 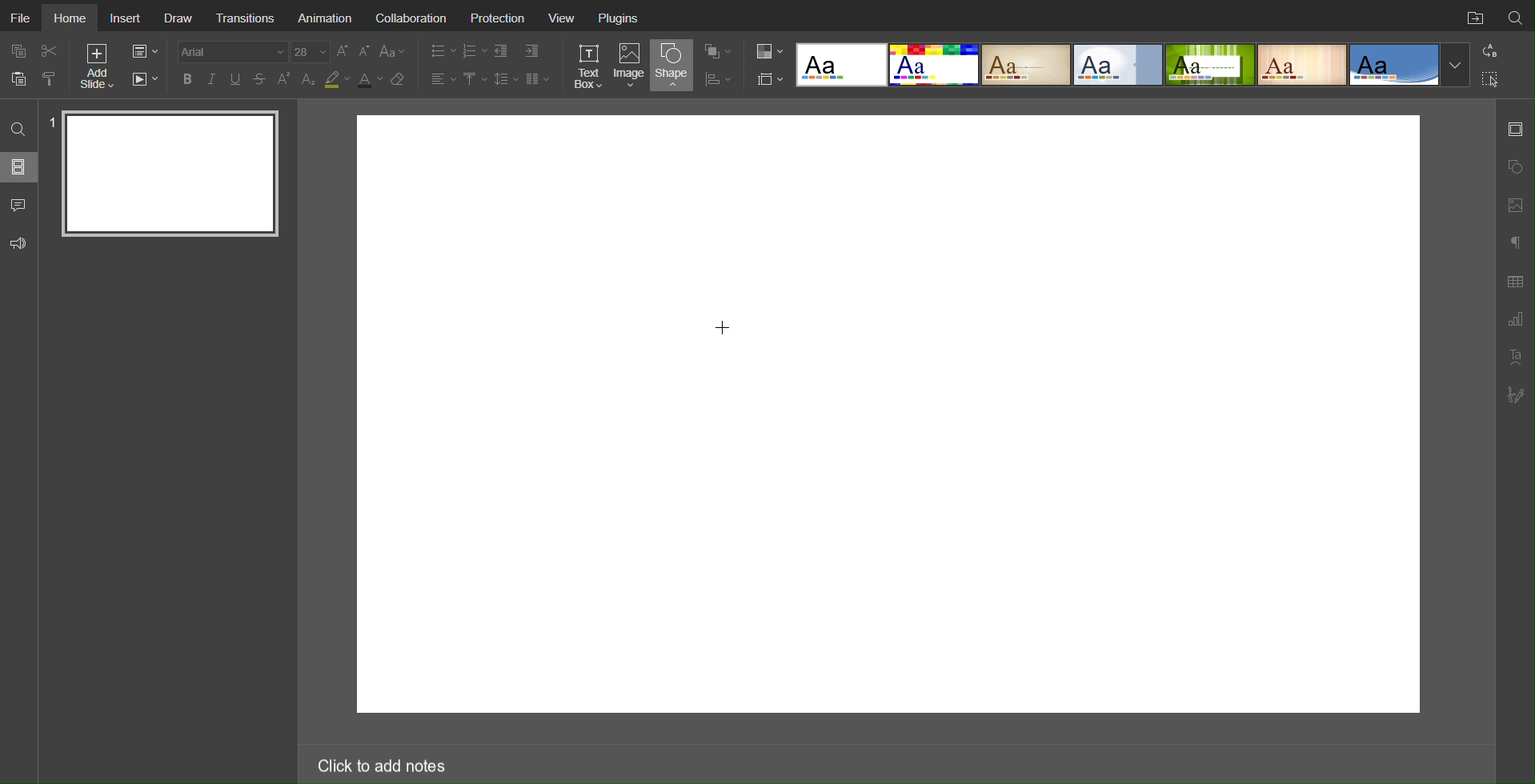 What do you see at coordinates (145, 79) in the screenshot?
I see `Playback Settings` at bounding box center [145, 79].